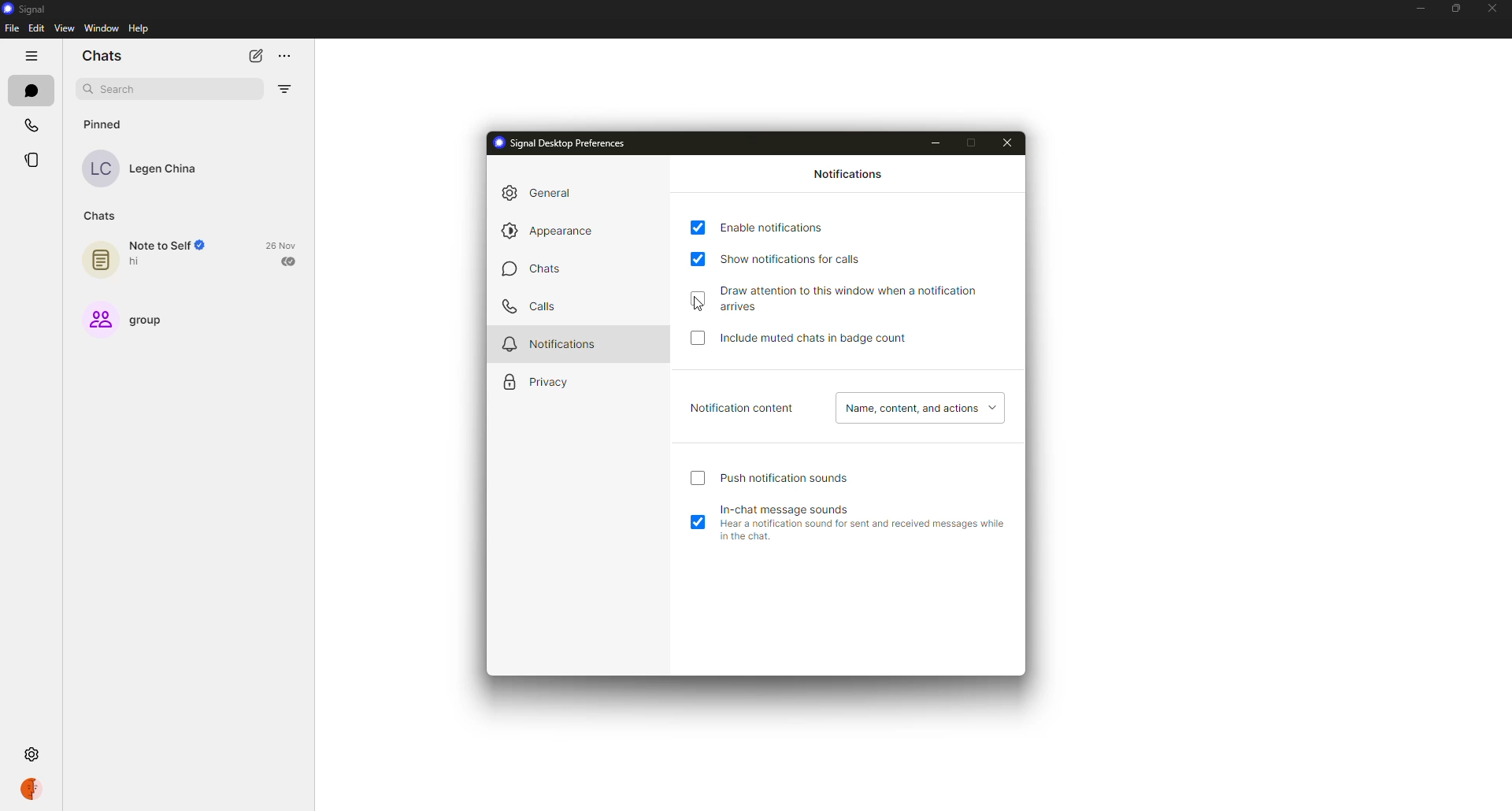 The width and height of the screenshot is (1512, 811). Describe the element at coordinates (290, 261) in the screenshot. I see `sent` at that location.